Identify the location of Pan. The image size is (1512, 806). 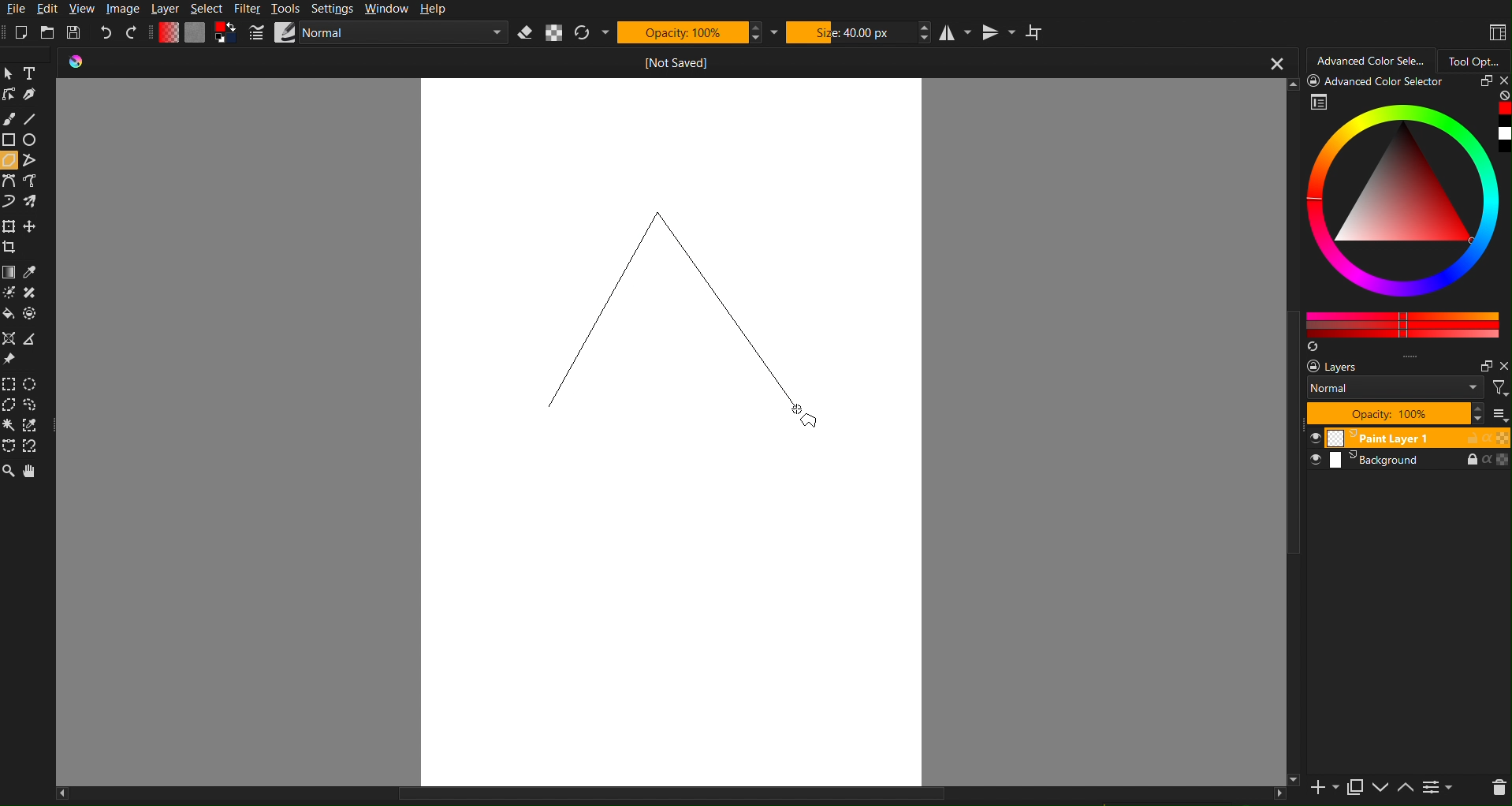
(34, 470).